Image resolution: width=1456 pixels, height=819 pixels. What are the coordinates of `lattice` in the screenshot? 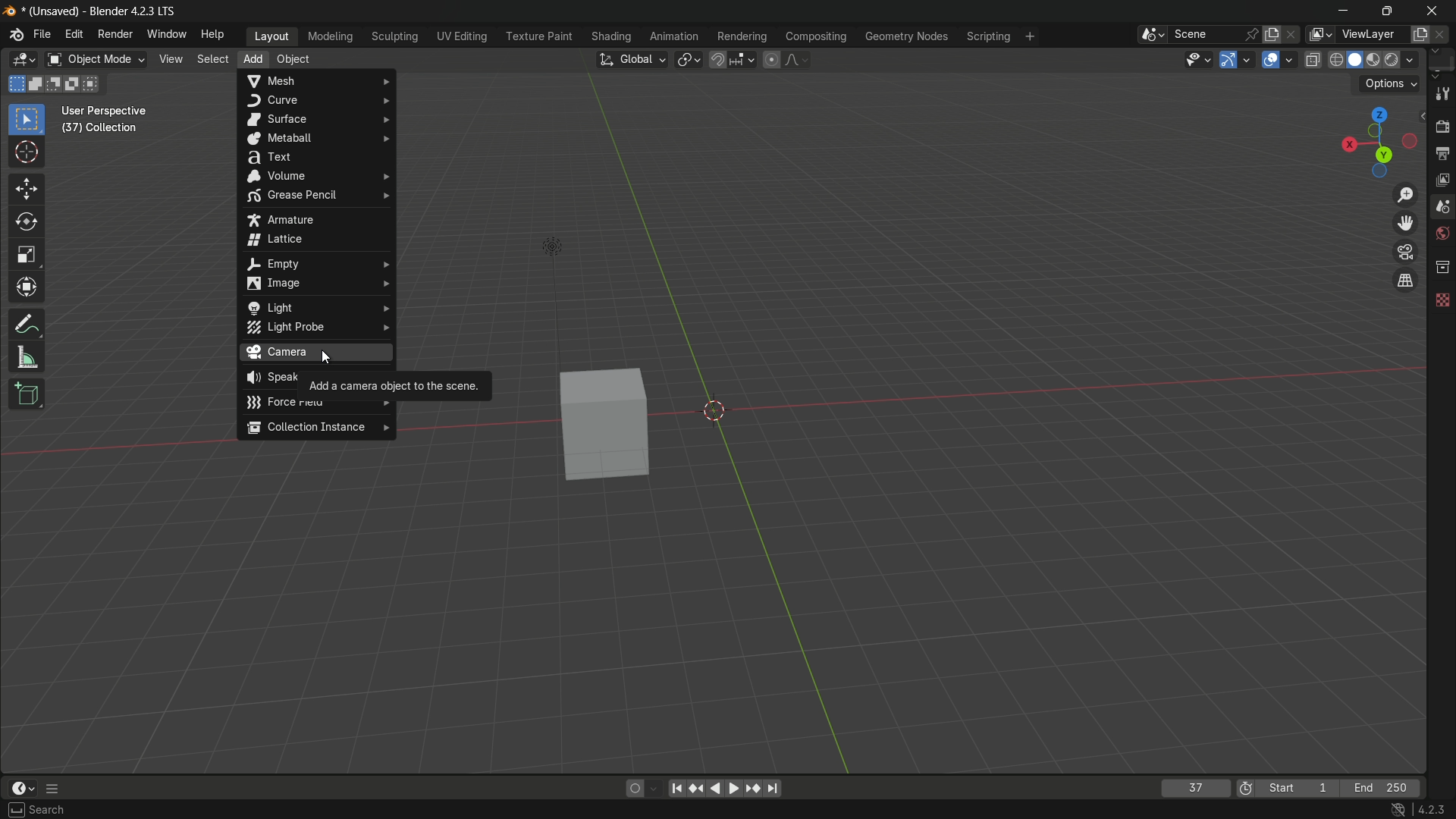 It's located at (315, 240).